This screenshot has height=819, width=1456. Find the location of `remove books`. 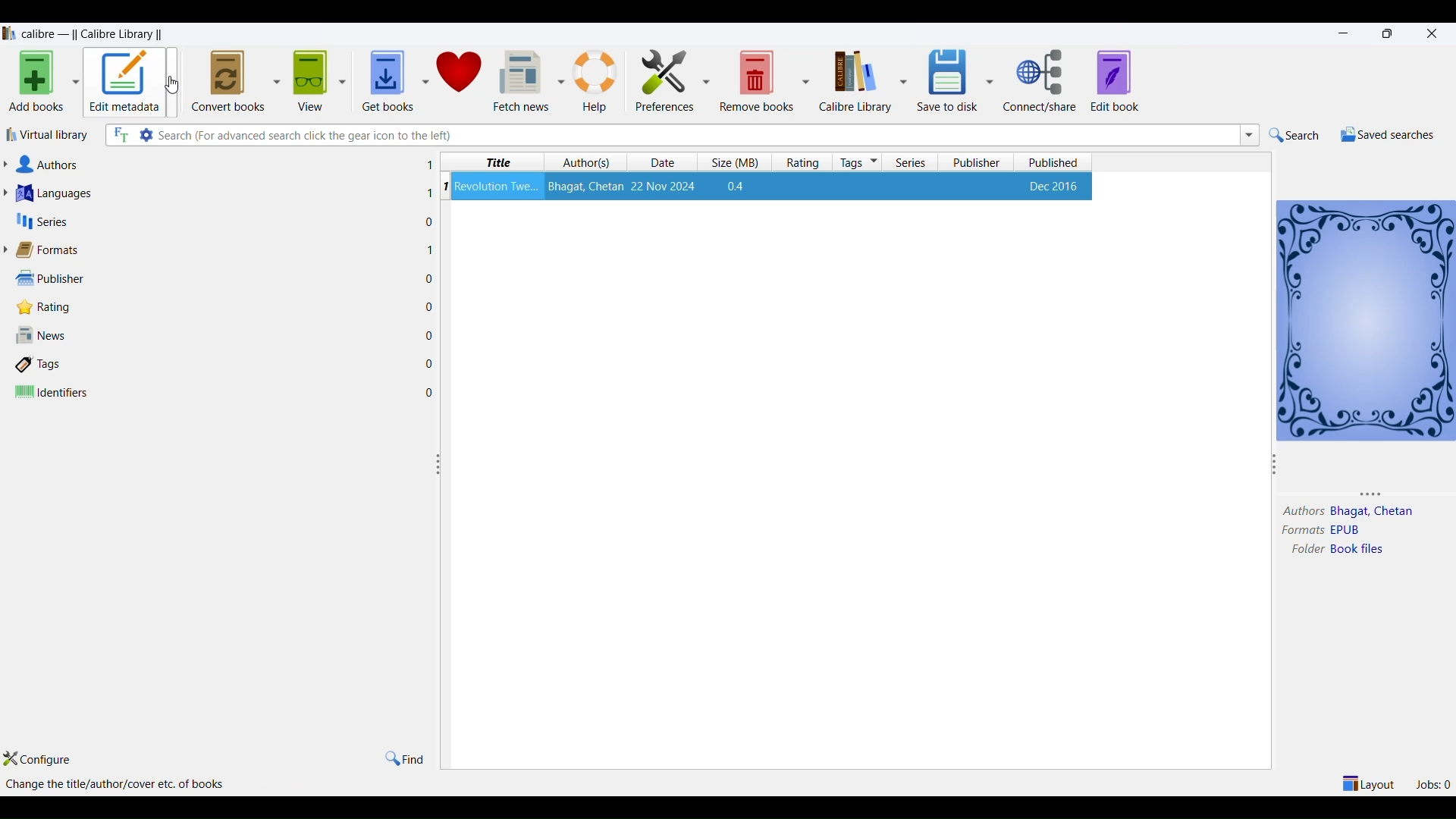

remove books is located at coordinates (757, 79).